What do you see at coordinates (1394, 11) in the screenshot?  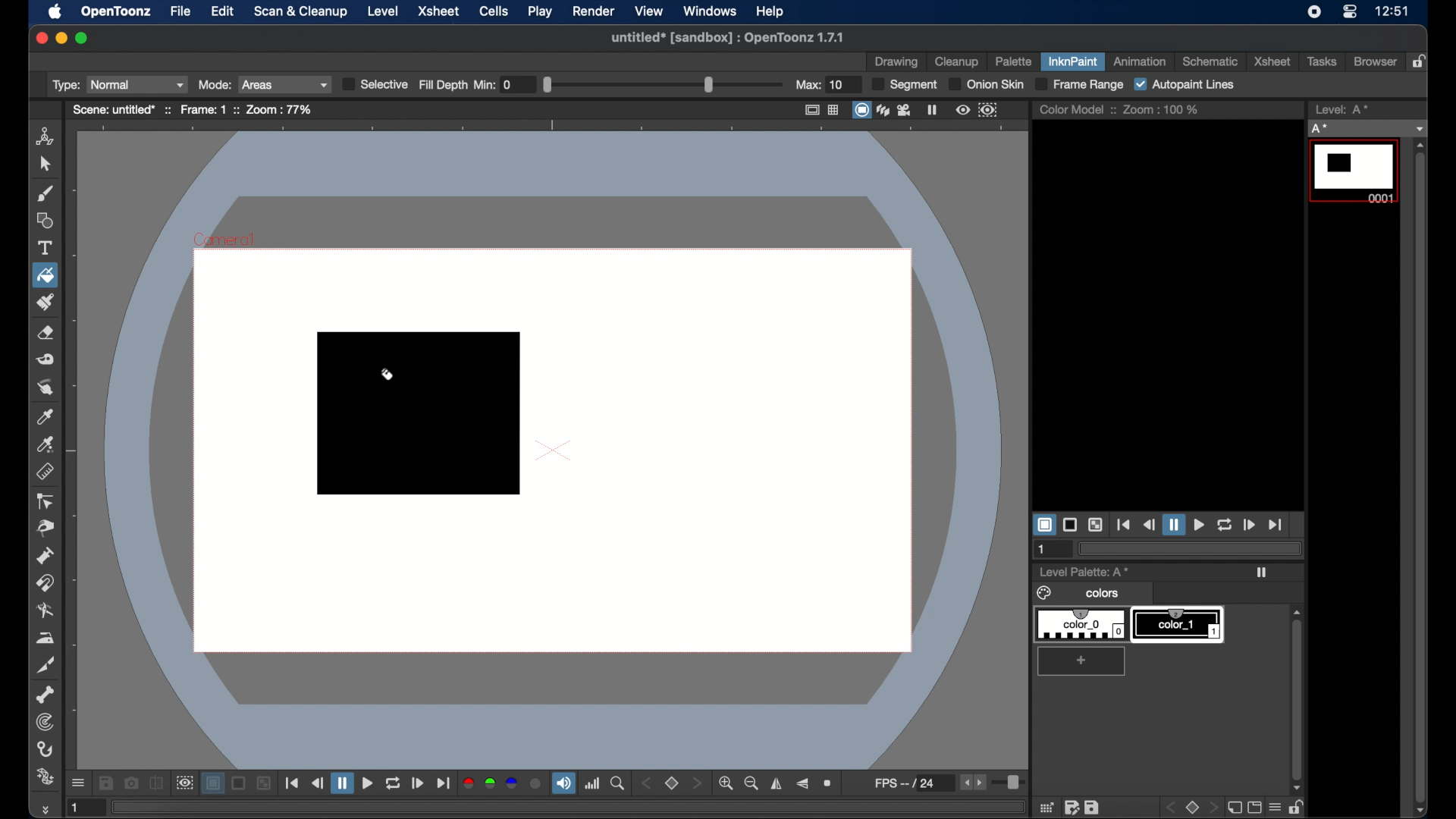 I see `12:51` at bounding box center [1394, 11].